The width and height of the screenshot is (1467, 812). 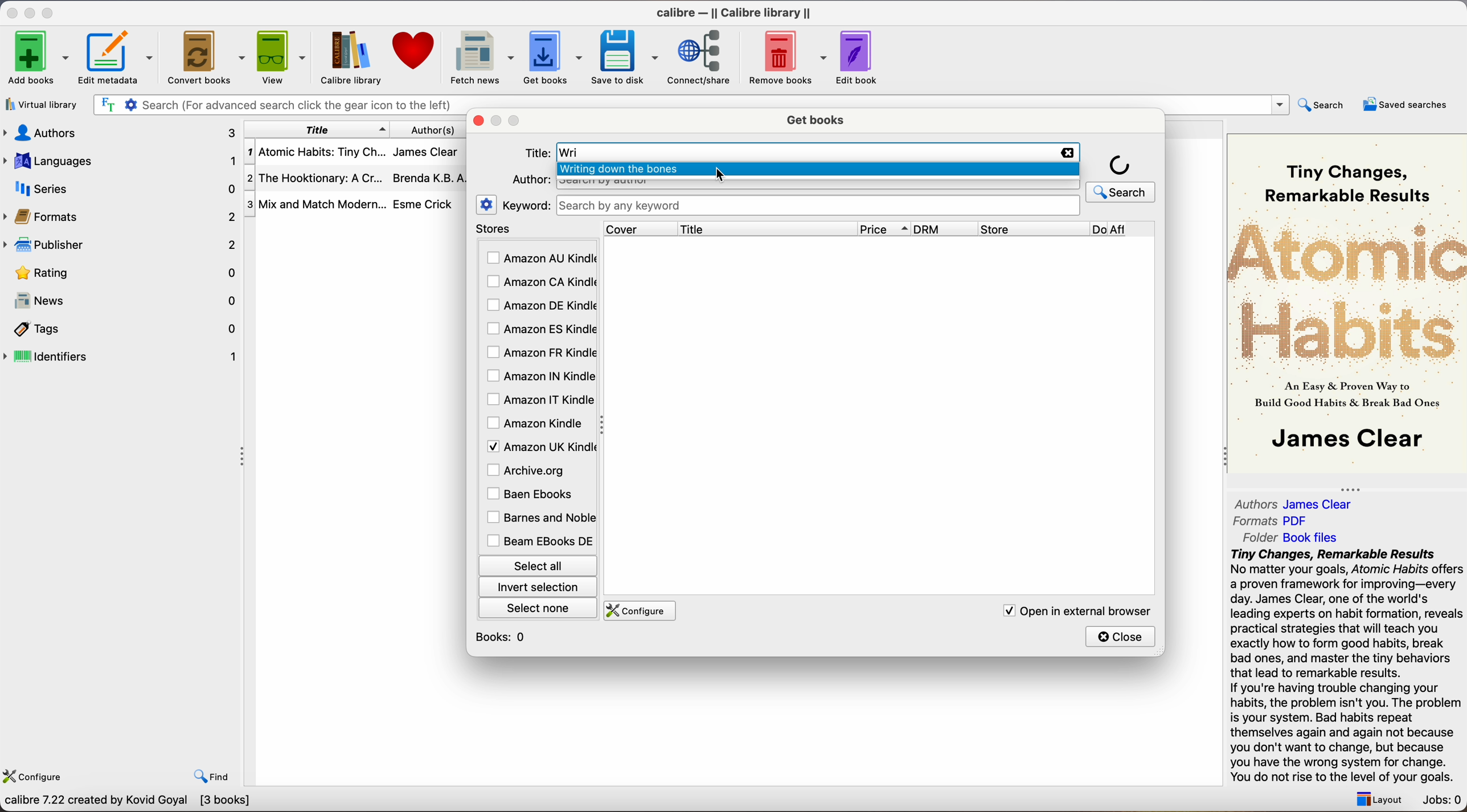 What do you see at coordinates (540, 329) in the screenshot?
I see `Amazon ES Kindle` at bounding box center [540, 329].